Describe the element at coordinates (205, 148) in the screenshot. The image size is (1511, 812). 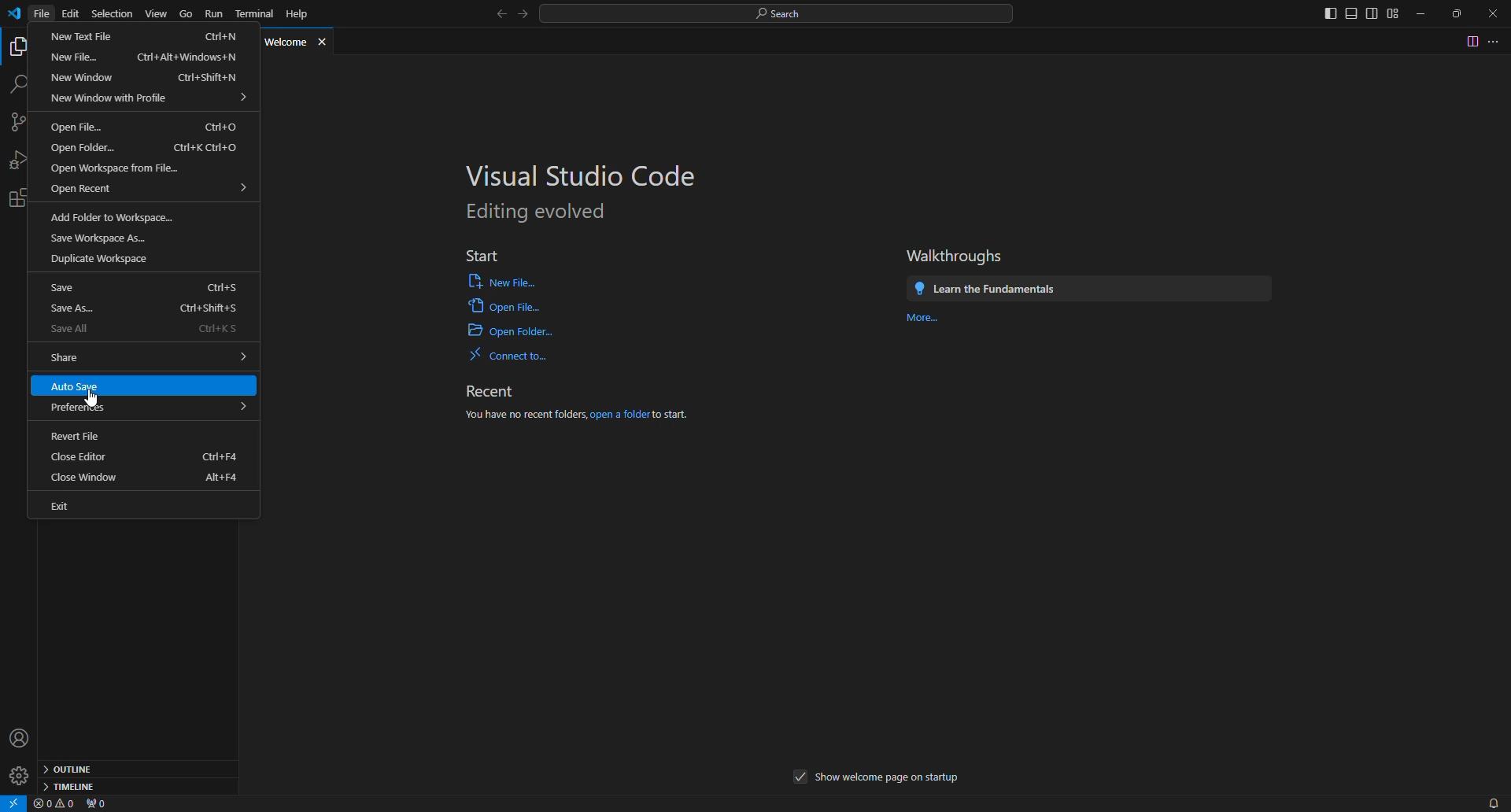
I see `ctrl+k ctrl+o` at that location.